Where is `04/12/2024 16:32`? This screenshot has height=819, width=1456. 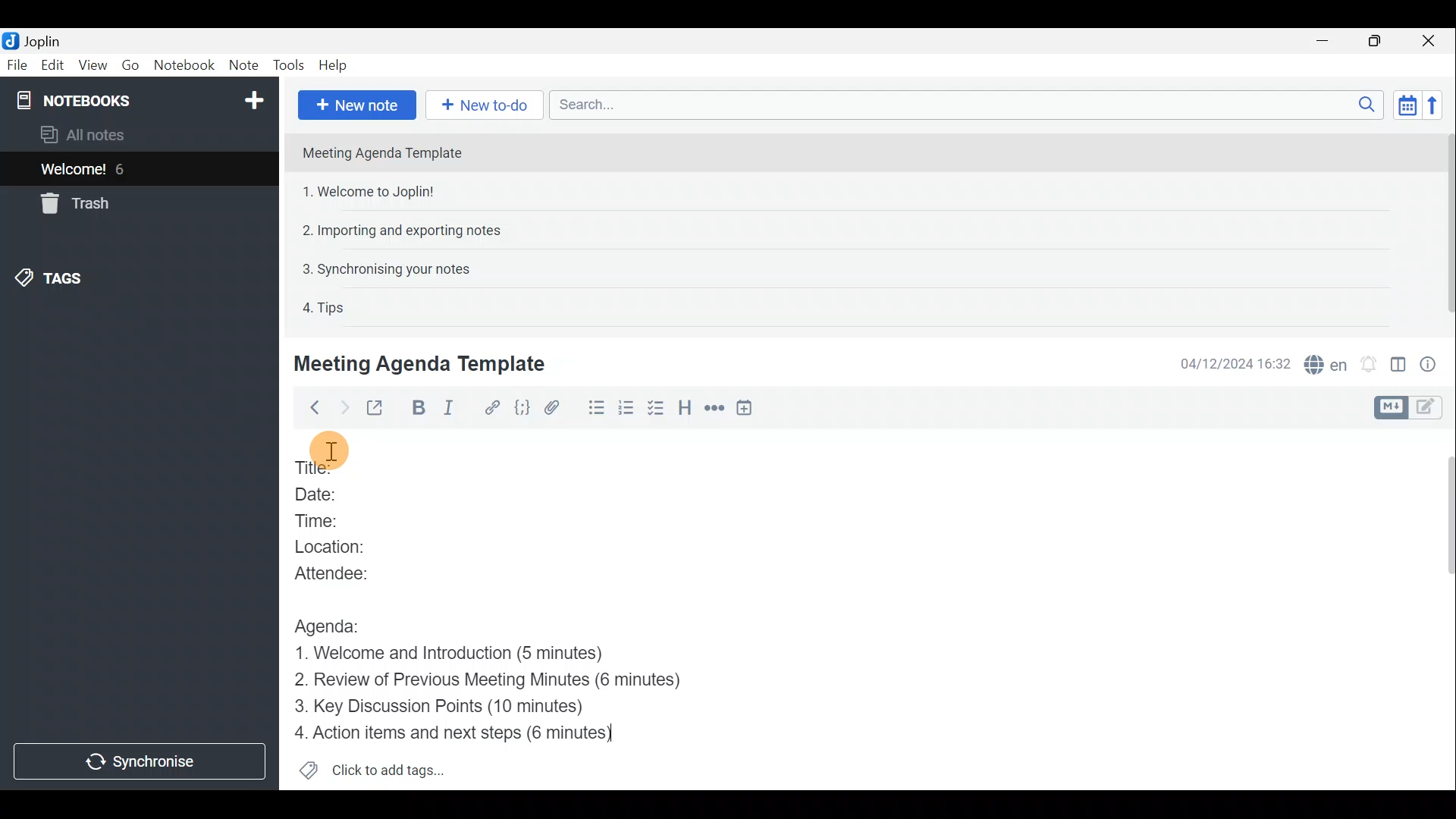 04/12/2024 16:32 is located at coordinates (1228, 362).